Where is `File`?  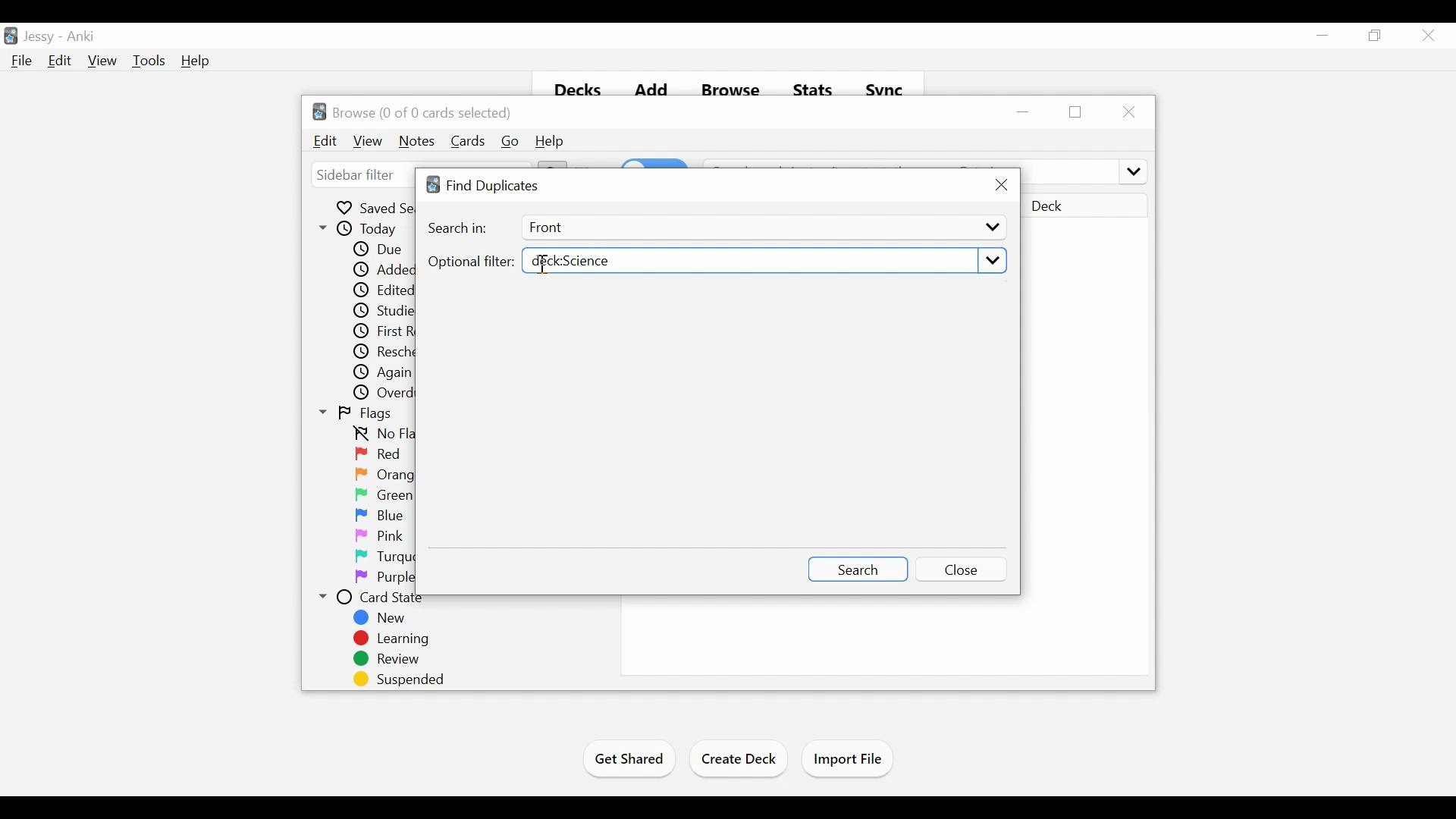 File is located at coordinates (21, 60).